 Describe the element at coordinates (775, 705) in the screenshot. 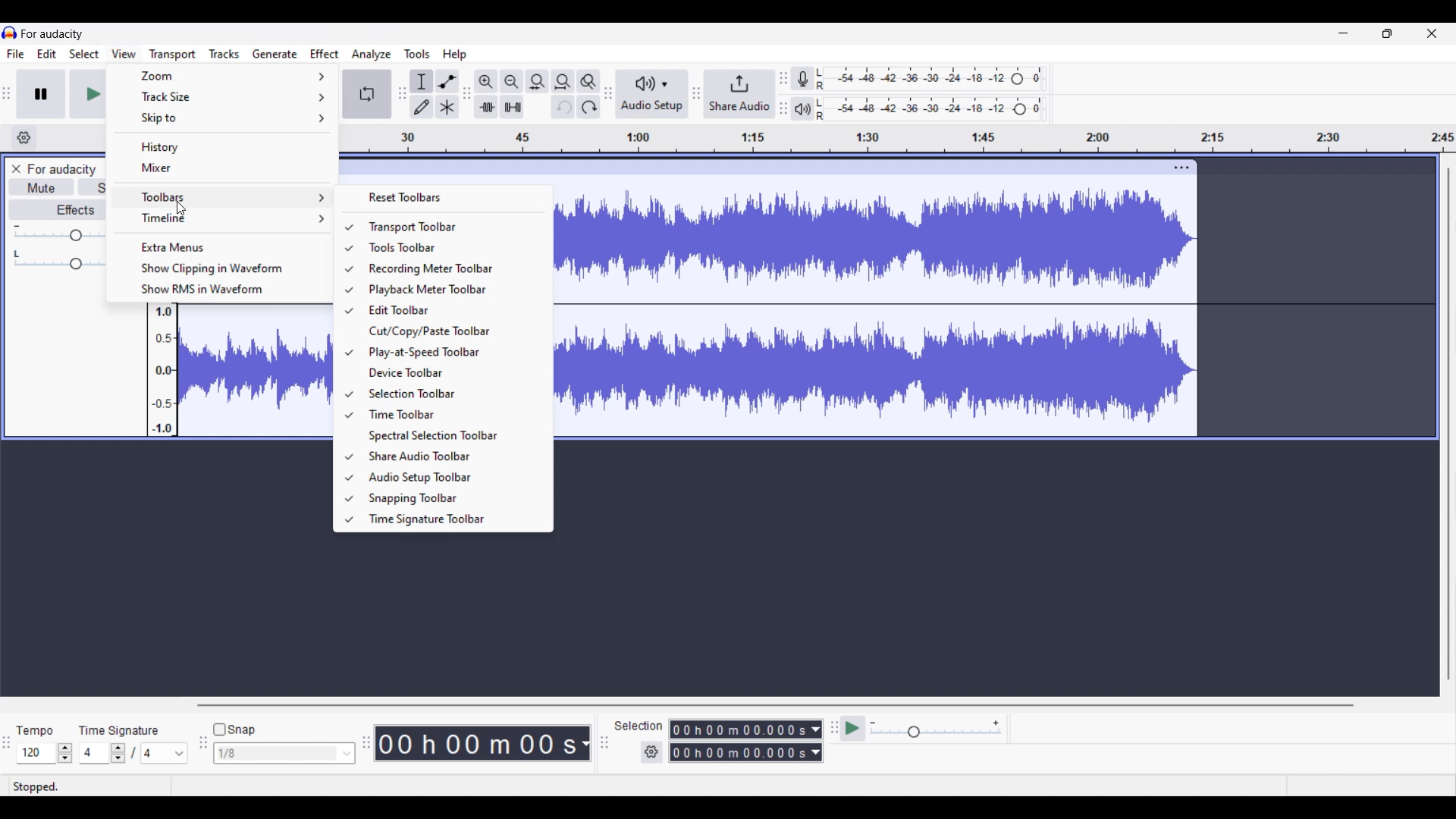

I see `Horizontal slide bar` at that location.